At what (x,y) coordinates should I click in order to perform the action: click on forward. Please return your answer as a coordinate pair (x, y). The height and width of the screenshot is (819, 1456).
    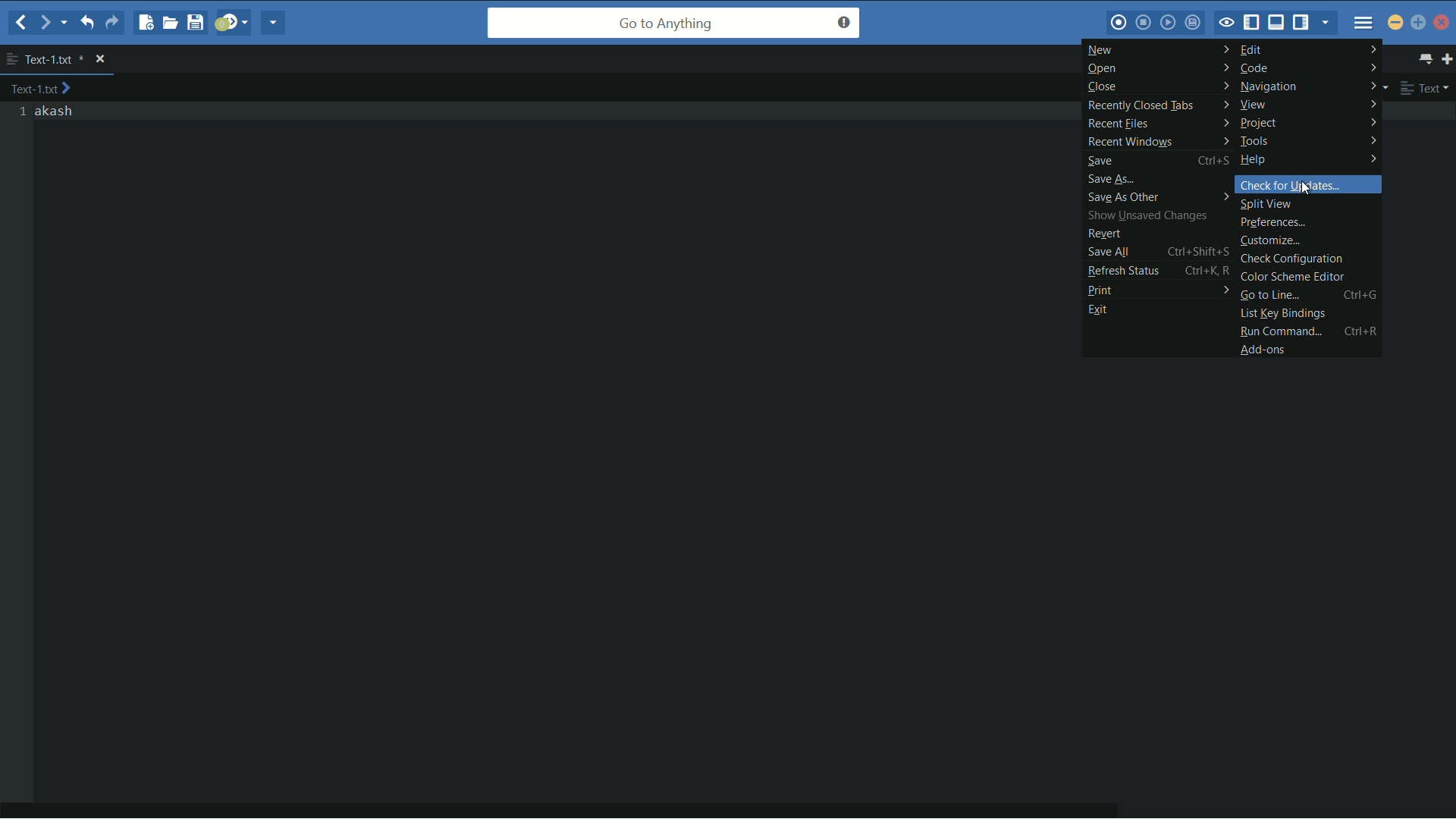
    Looking at the image, I should click on (45, 24).